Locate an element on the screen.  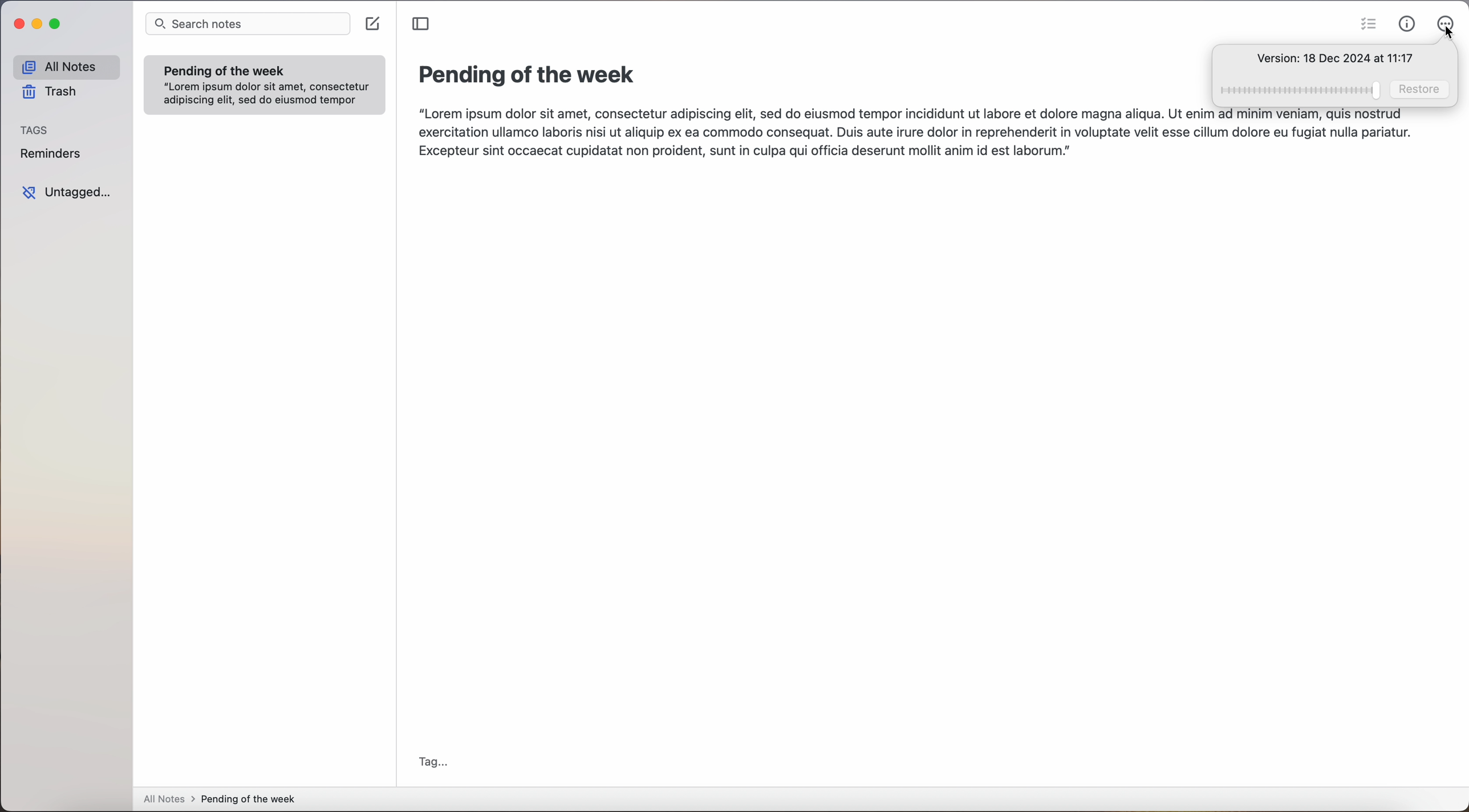
trash is located at coordinates (48, 92).